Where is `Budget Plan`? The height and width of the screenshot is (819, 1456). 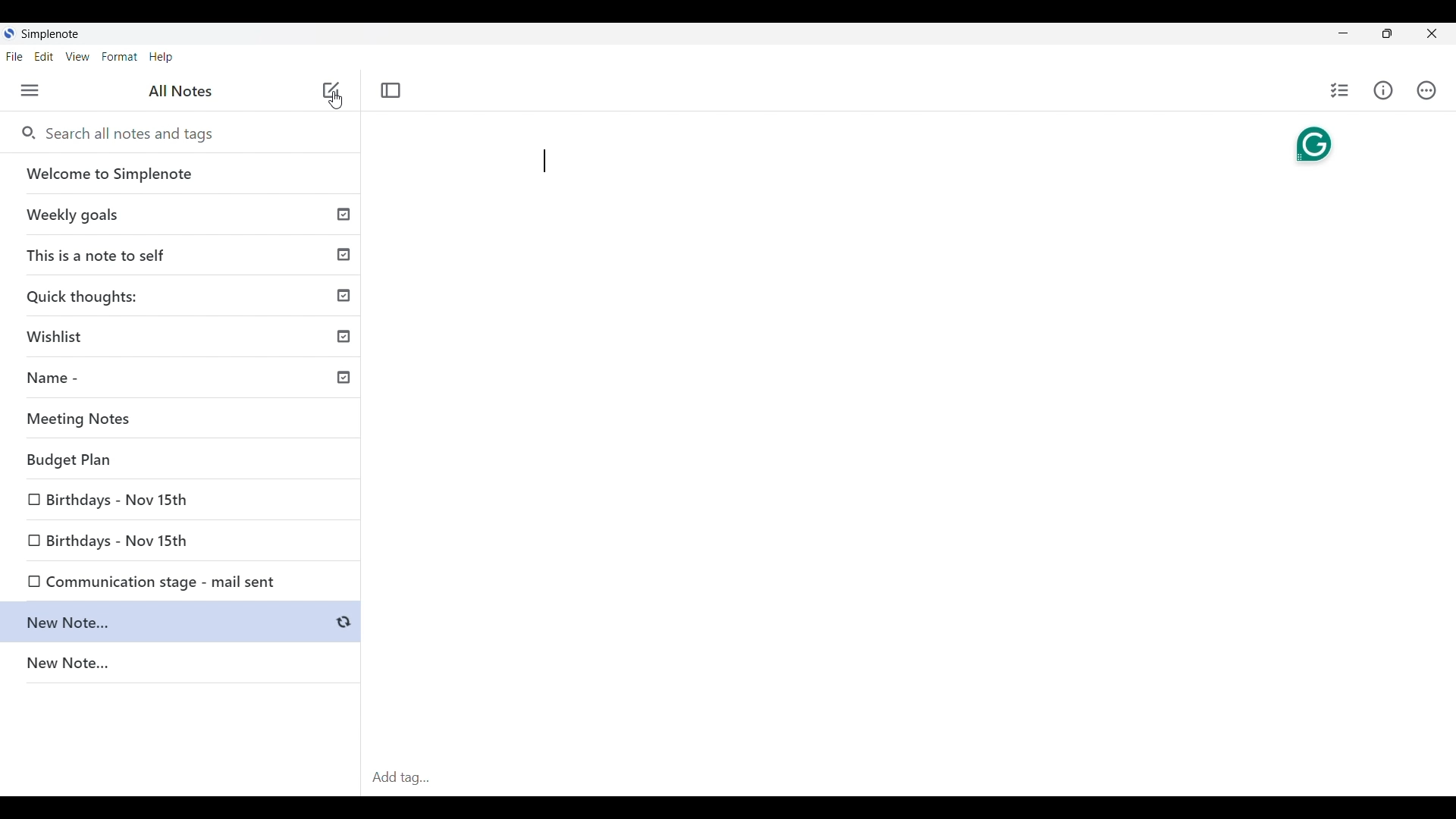 Budget Plan is located at coordinates (184, 461).